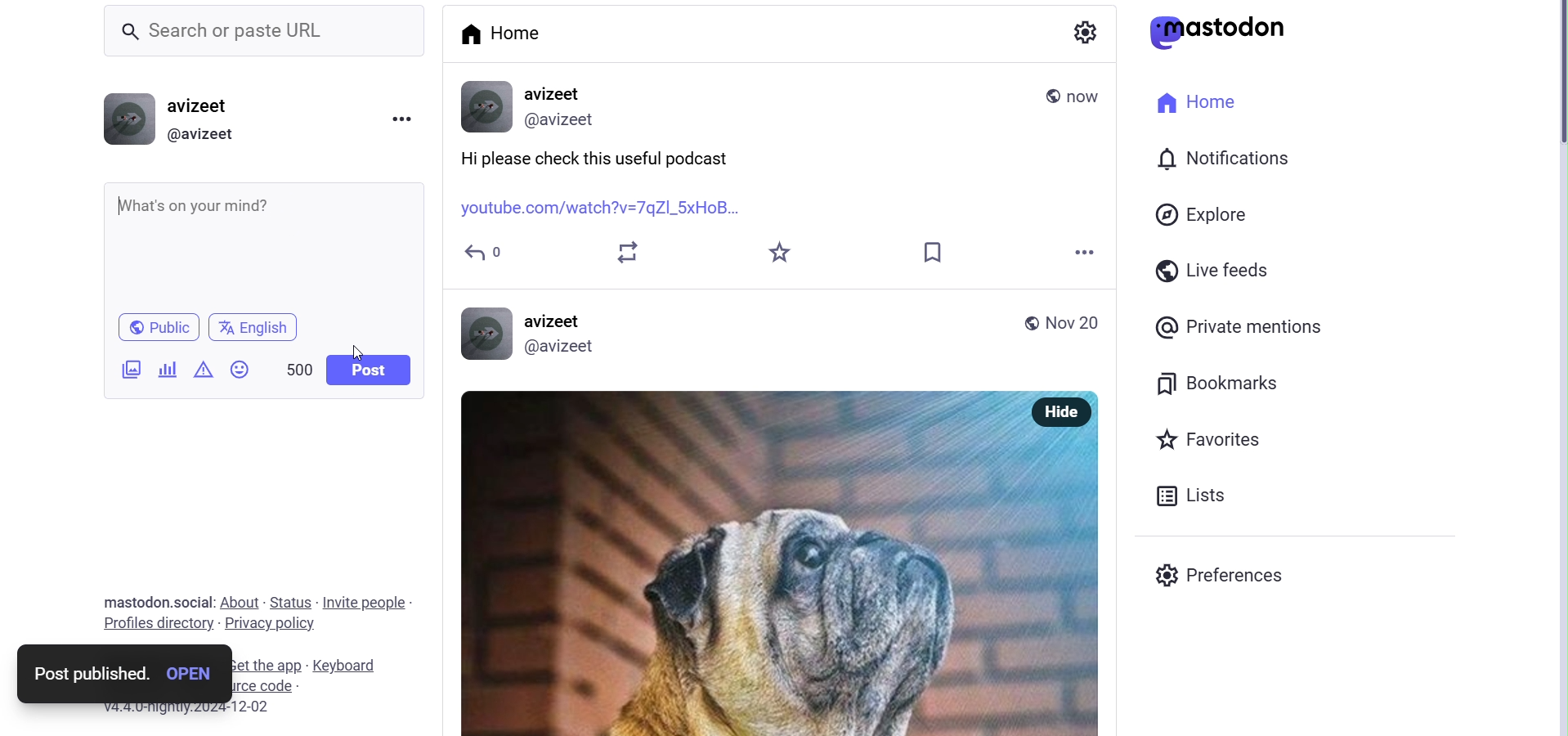  What do you see at coordinates (603, 182) in the screenshot?
I see `Hi please check this useful podcast
youtube.com/watch?v=7qZ|_5xHoB...` at bounding box center [603, 182].